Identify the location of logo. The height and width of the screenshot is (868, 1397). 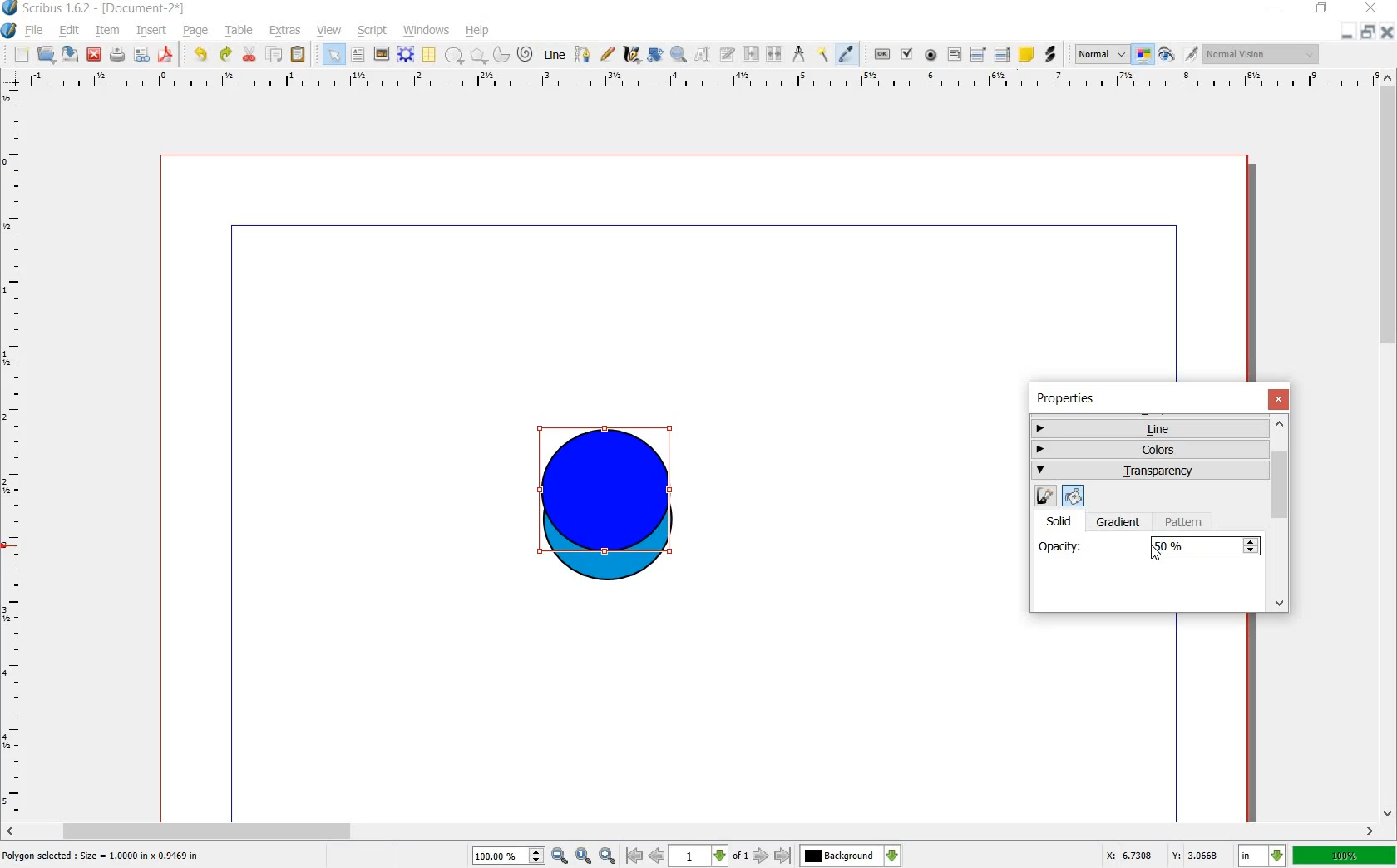
(10, 7).